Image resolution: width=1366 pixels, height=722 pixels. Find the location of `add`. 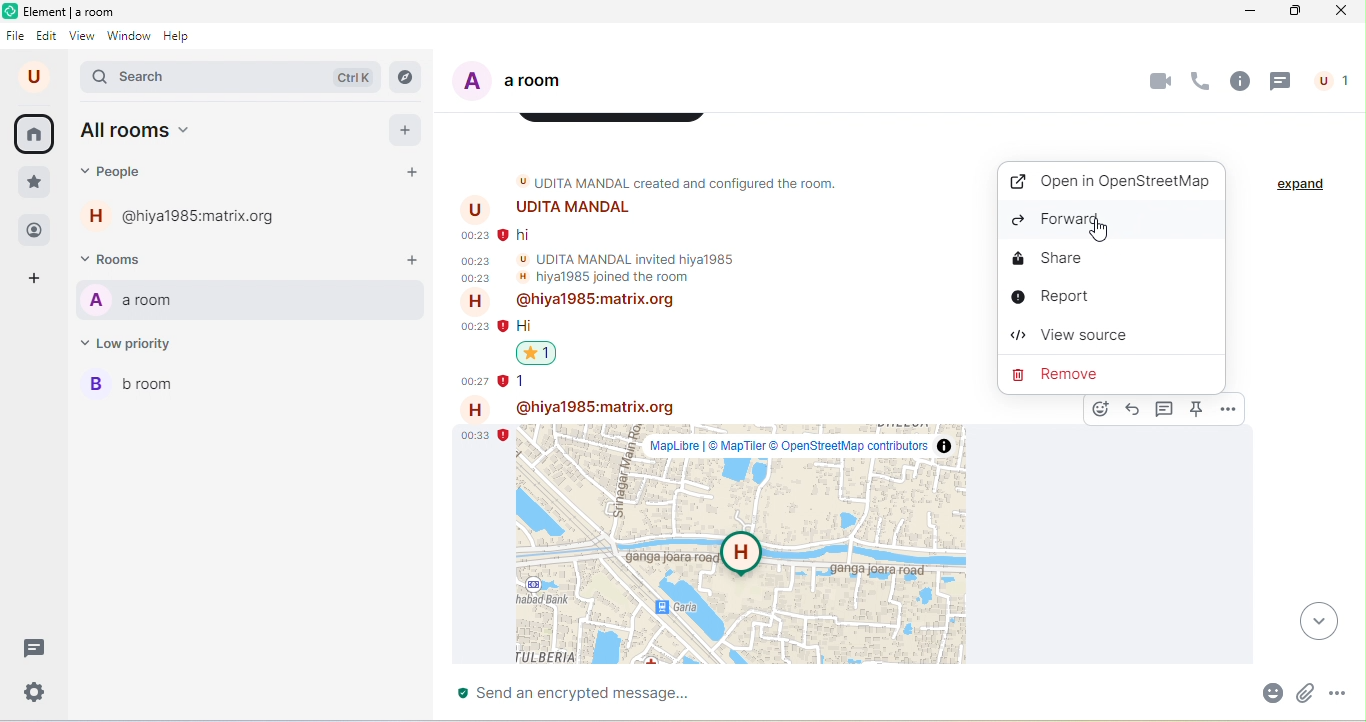

add is located at coordinates (406, 129).